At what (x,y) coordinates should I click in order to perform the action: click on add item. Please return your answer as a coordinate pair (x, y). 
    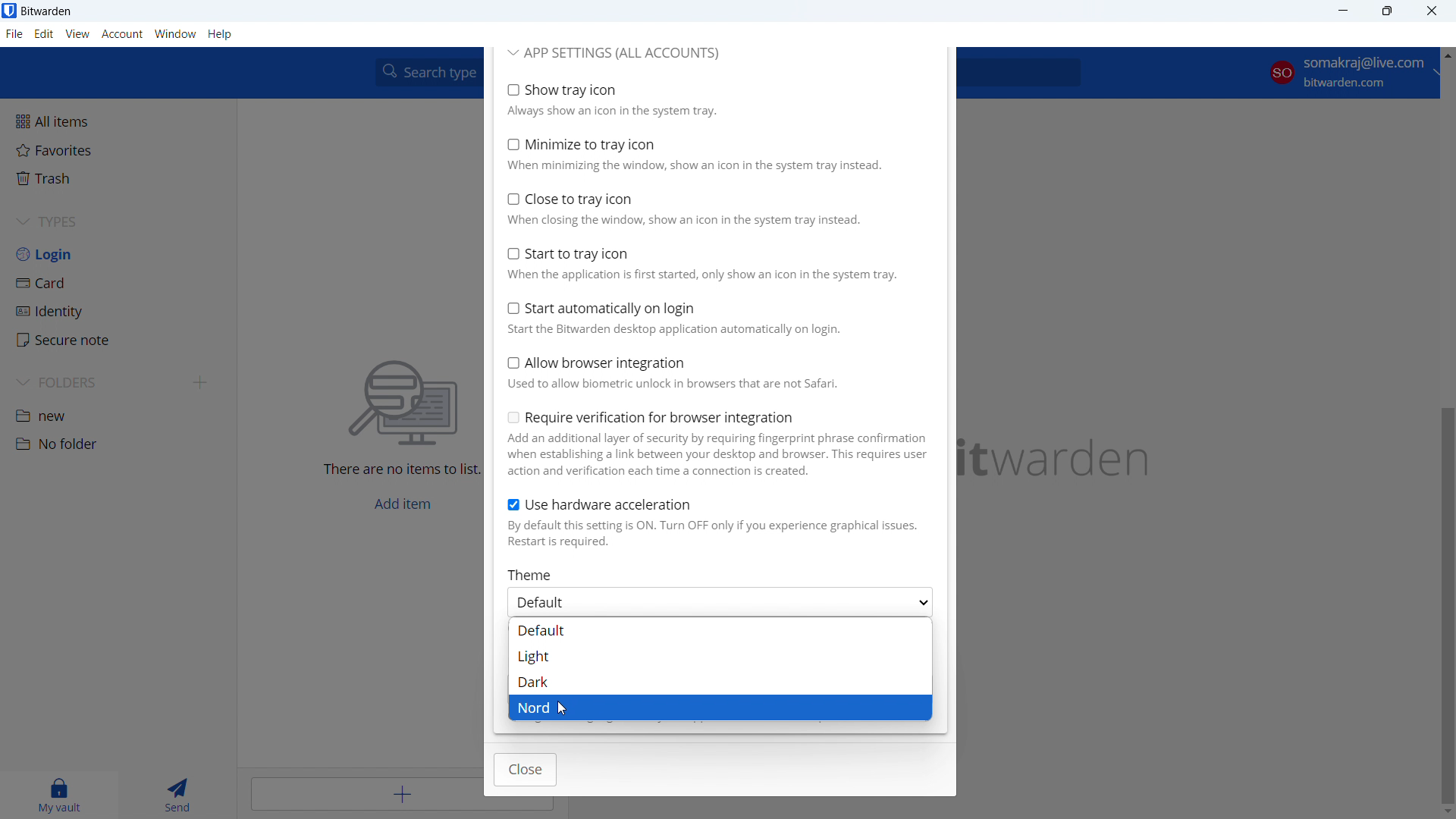
    Looking at the image, I should click on (403, 504).